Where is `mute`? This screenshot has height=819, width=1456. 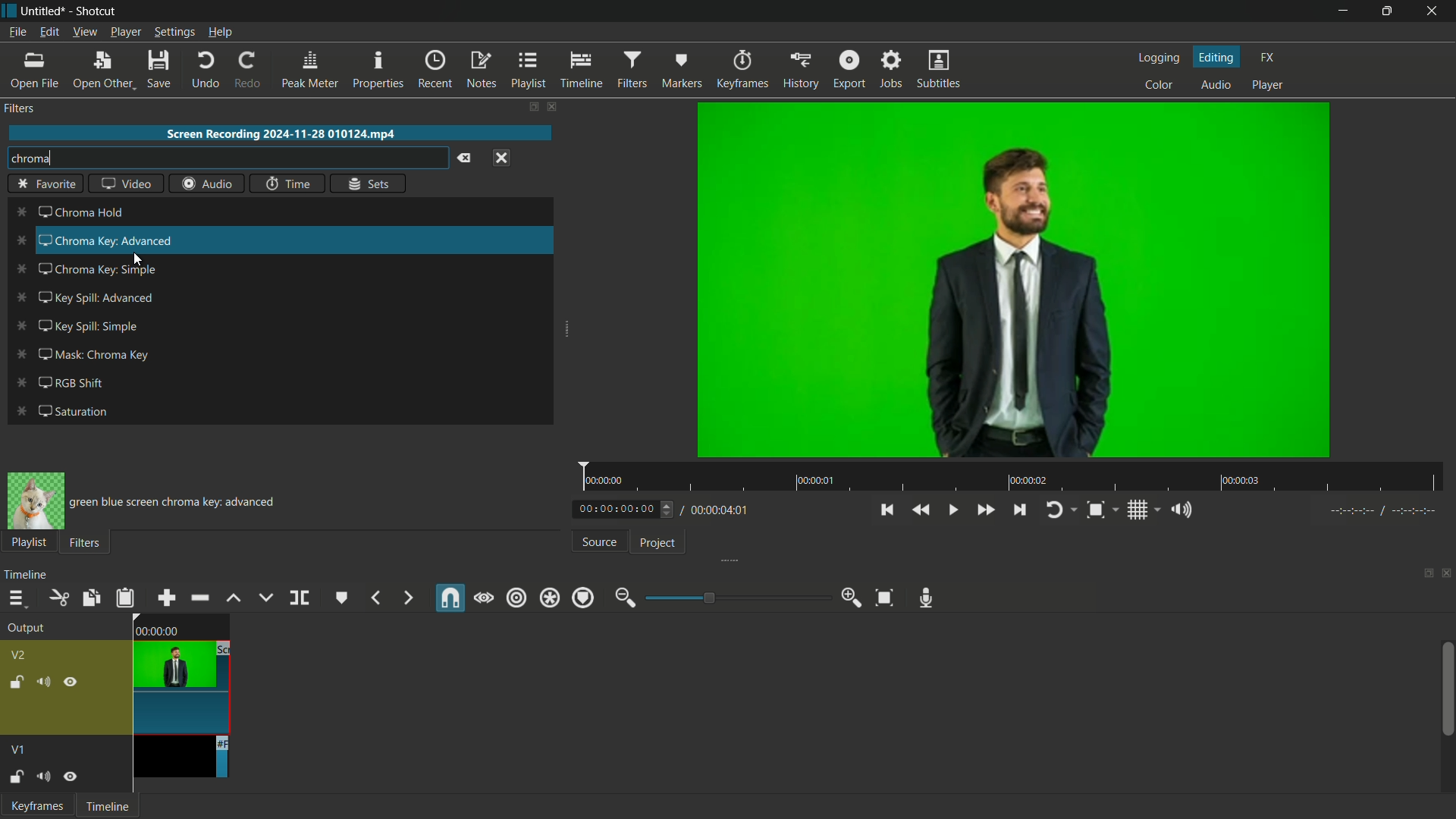 mute is located at coordinates (42, 776).